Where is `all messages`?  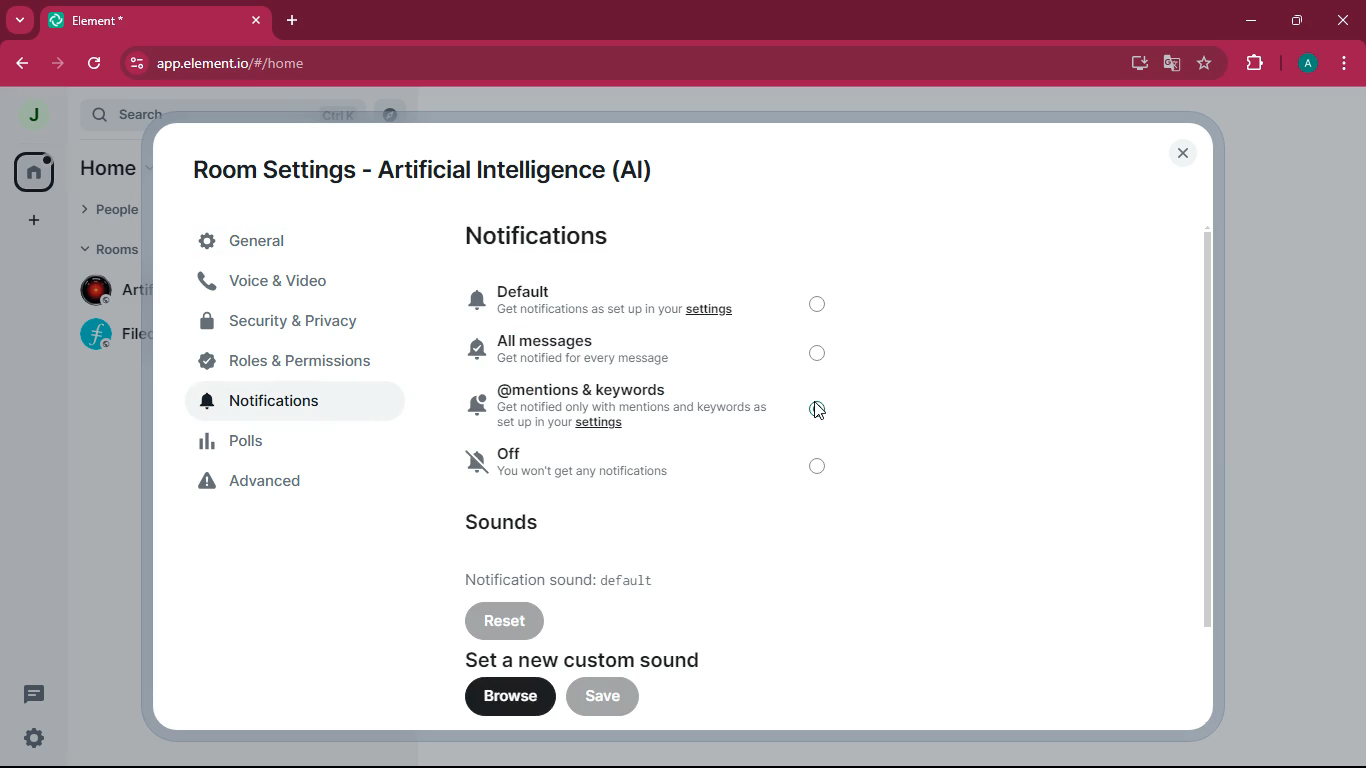 all messages is located at coordinates (610, 349).